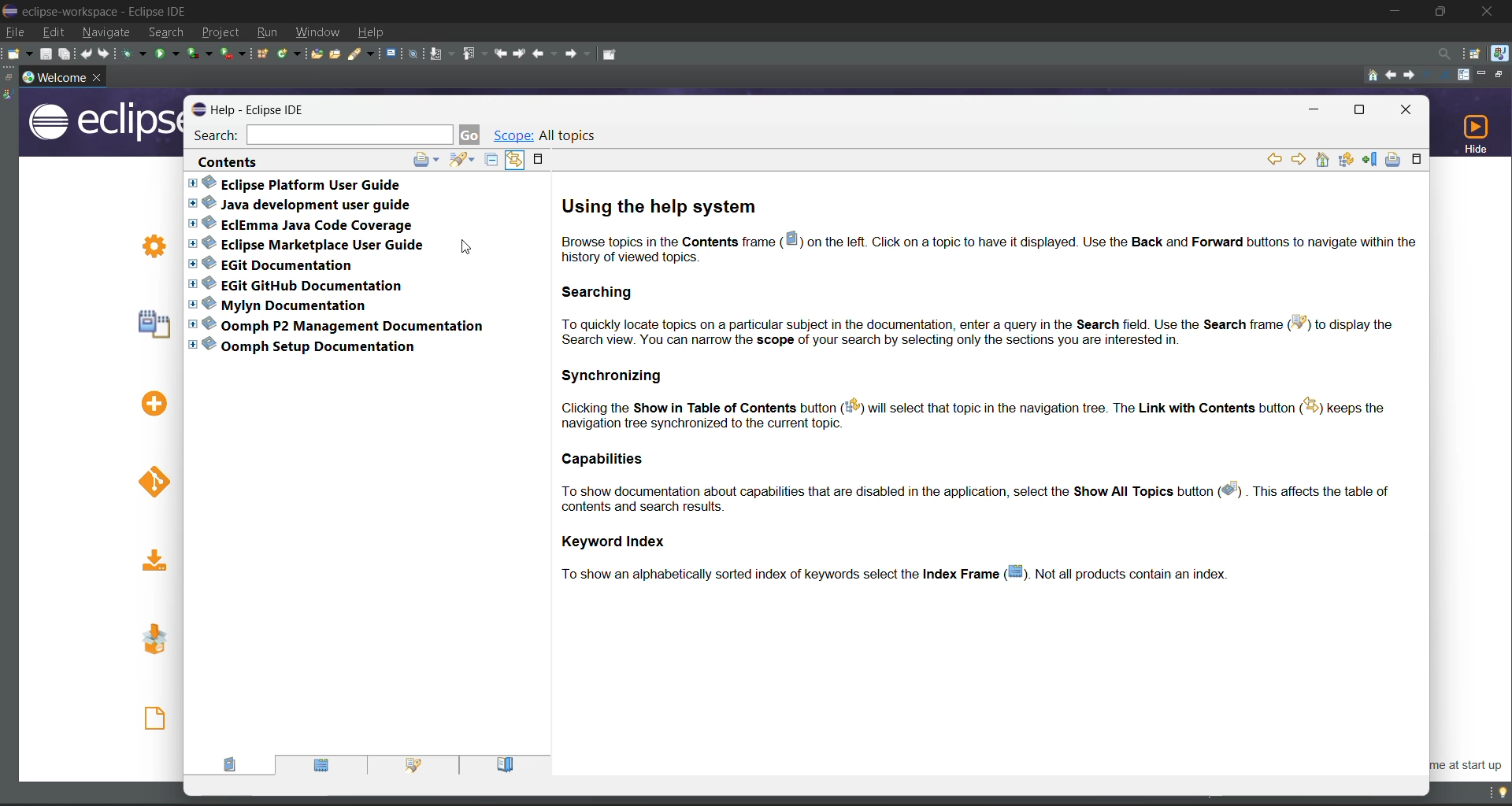 The height and width of the screenshot is (806, 1512). Describe the element at coordinates (475, 134) in the screenshot. I see `go` at that location.